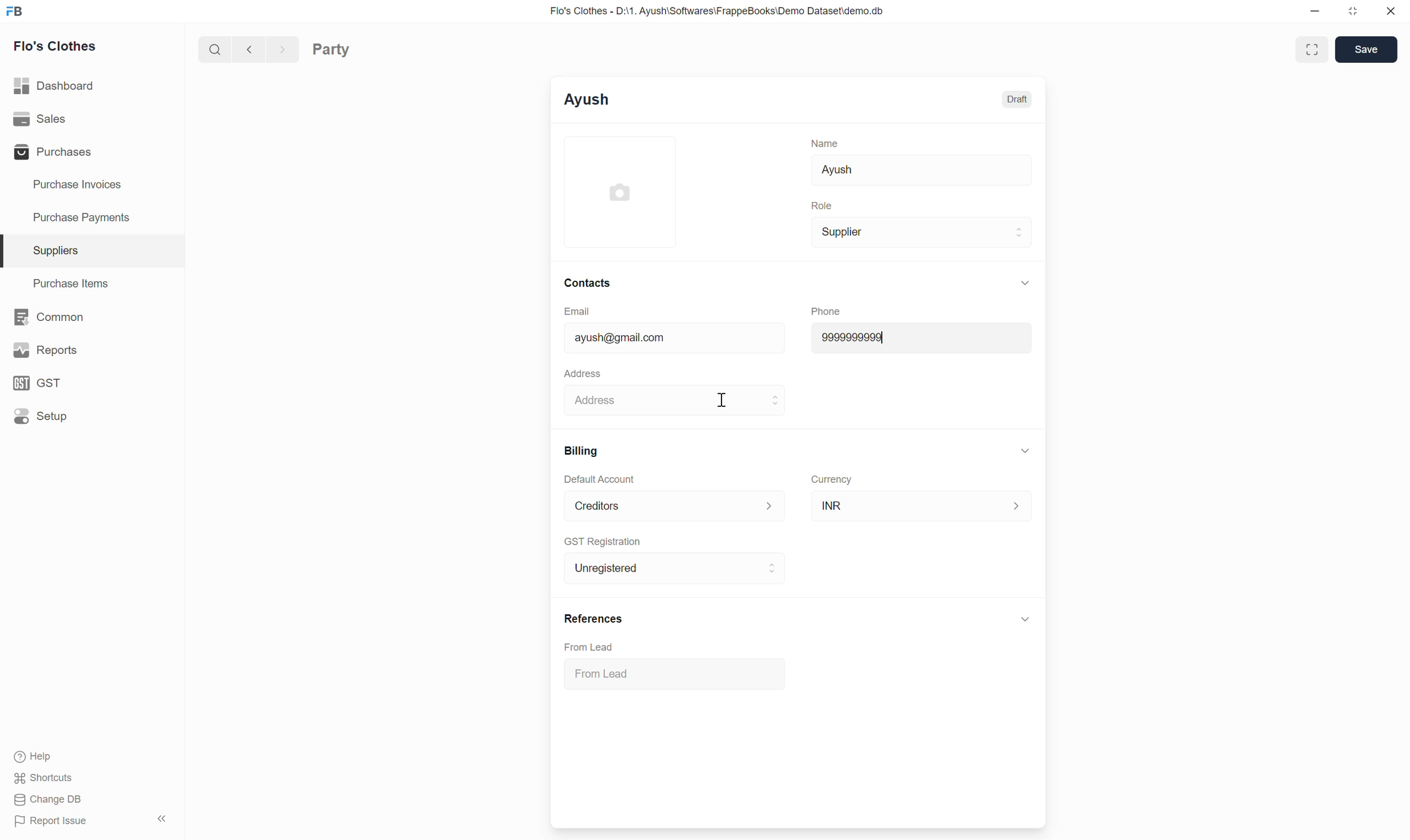 Image resolution: width=1410 pixels, height=840 pixels. Describe the element at coordinates (44, 757) in the screenshot. I see `Help` at that location.